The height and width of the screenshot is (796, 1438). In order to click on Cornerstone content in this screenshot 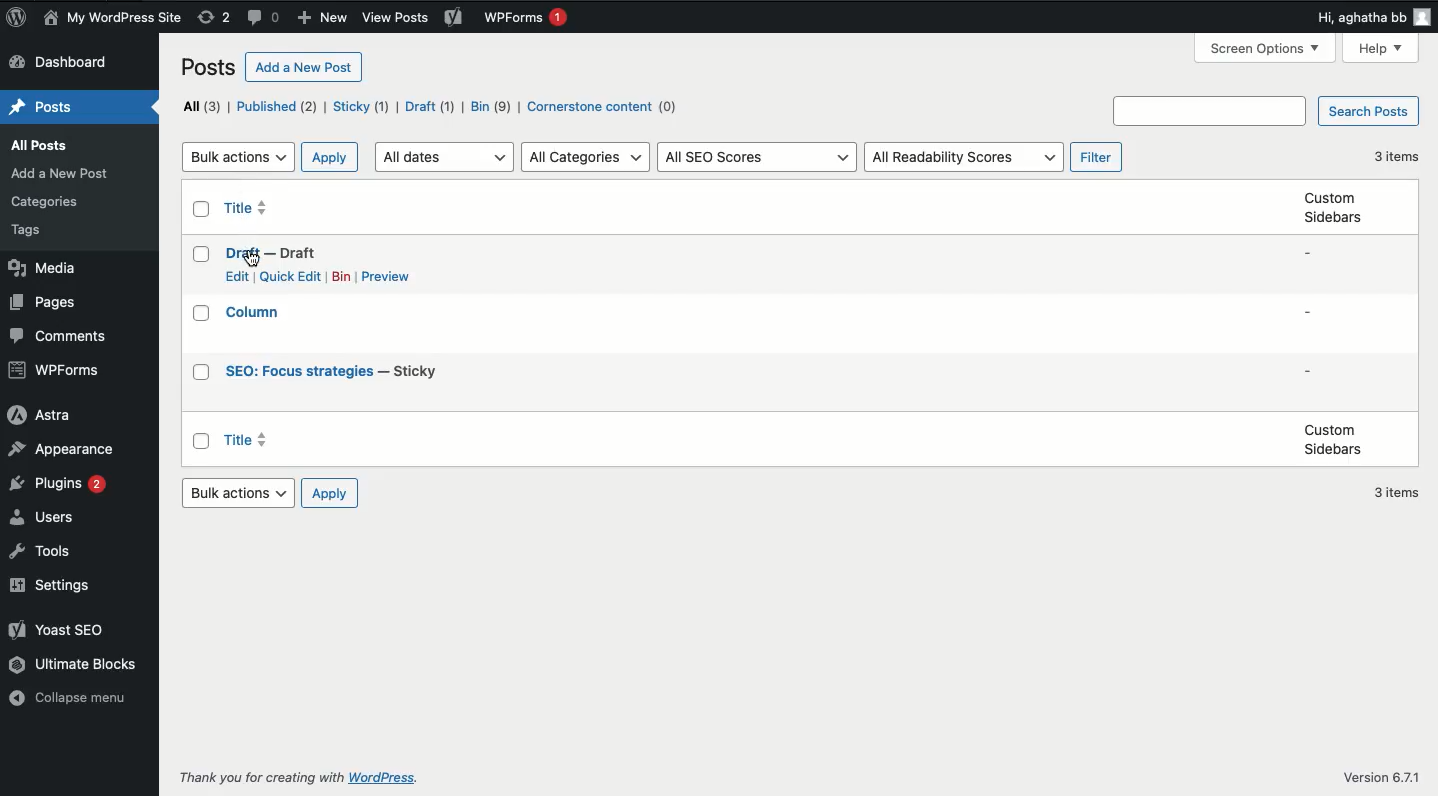, I will do `click(599, 108)`.